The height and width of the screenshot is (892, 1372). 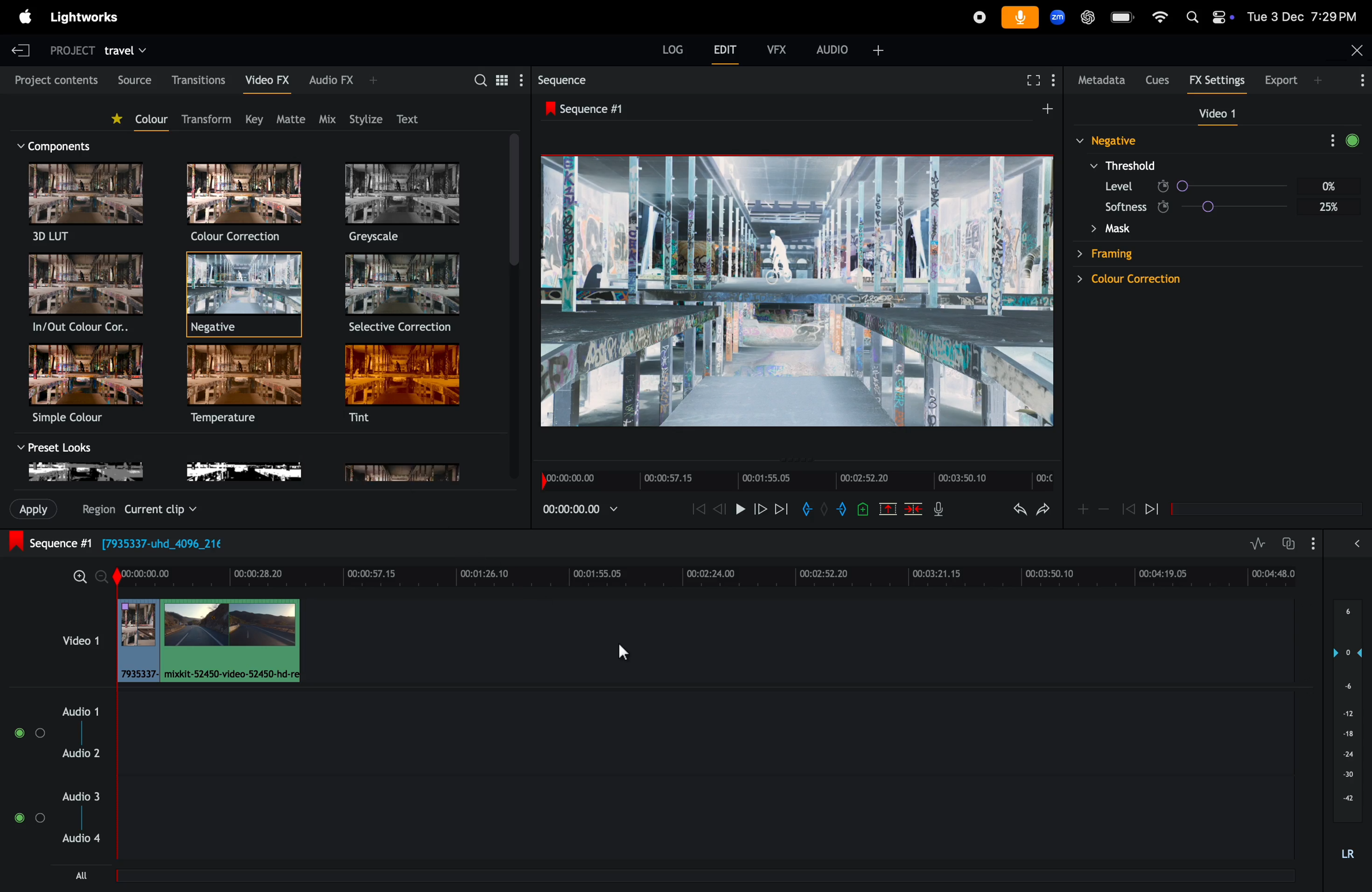 I want to click on , so click(x=1107, y=254).